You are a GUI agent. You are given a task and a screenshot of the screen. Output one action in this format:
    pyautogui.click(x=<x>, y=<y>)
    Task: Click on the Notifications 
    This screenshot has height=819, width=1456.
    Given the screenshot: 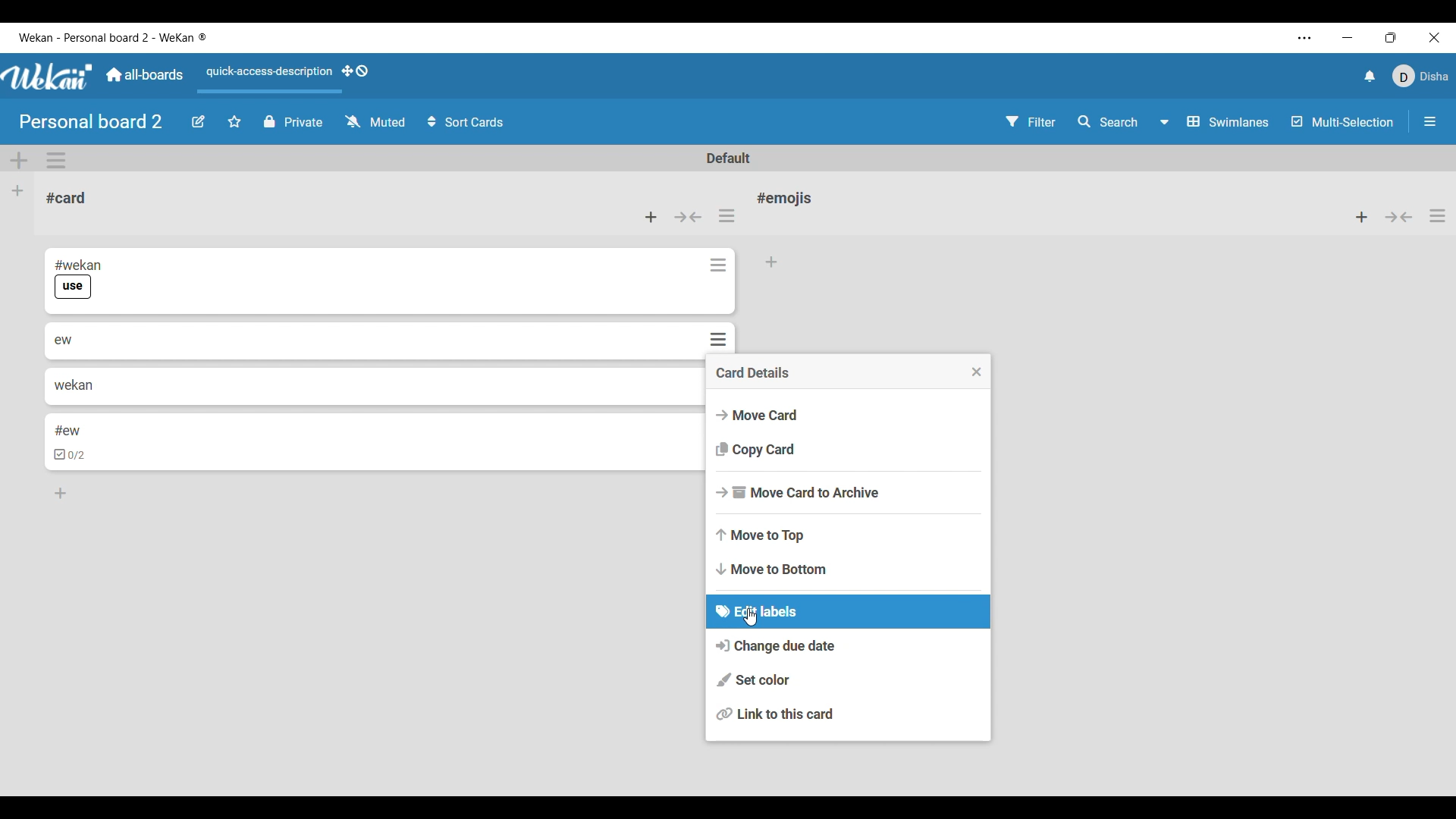 What is the action you would take?
    pyautogui.click(x=1370, y=77)
    